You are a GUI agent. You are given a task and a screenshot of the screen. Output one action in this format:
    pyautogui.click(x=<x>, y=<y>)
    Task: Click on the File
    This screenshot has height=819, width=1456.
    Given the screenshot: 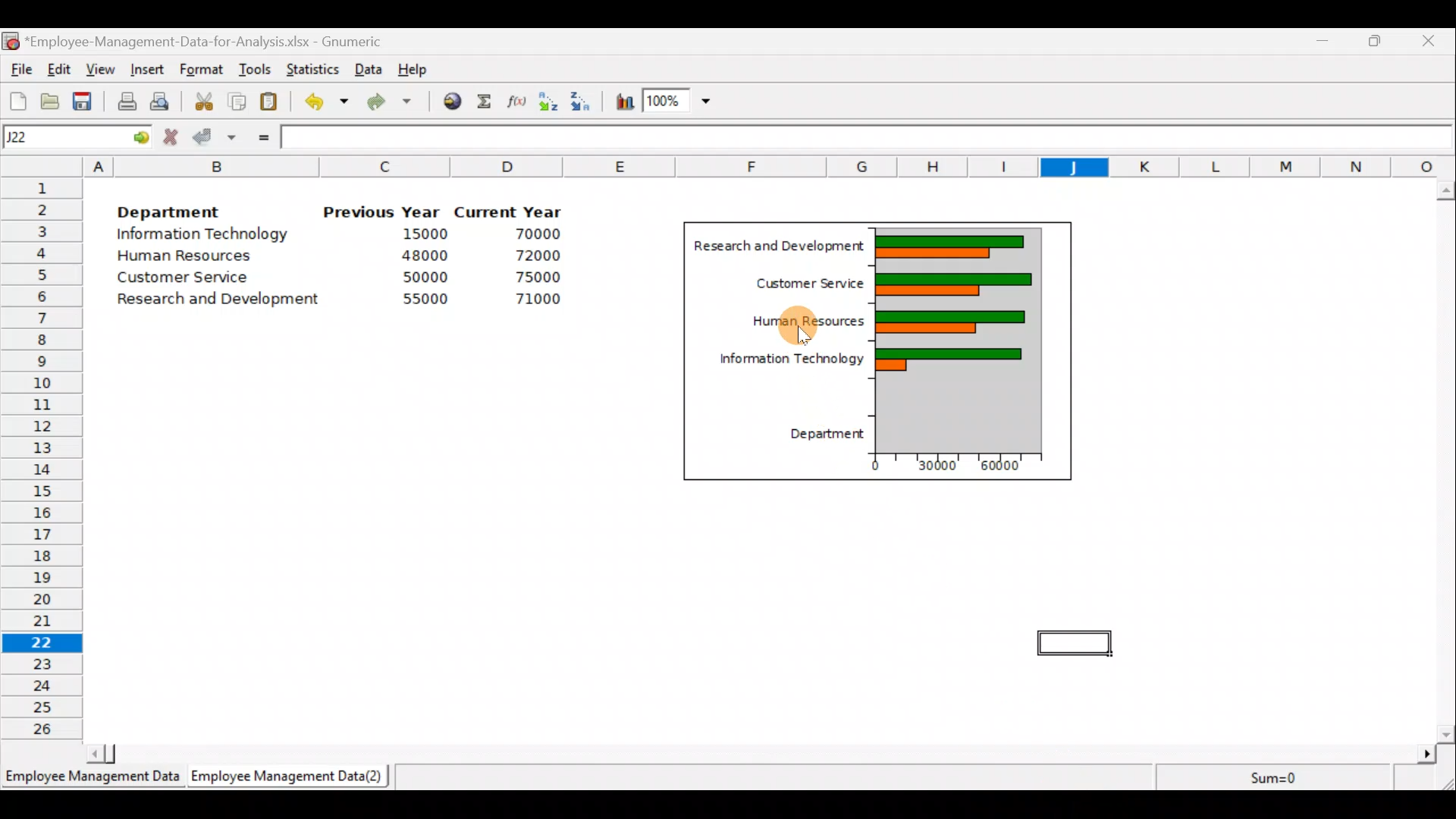 What is the action you would take?
    pyautogui.click(x=19, y=69)
    